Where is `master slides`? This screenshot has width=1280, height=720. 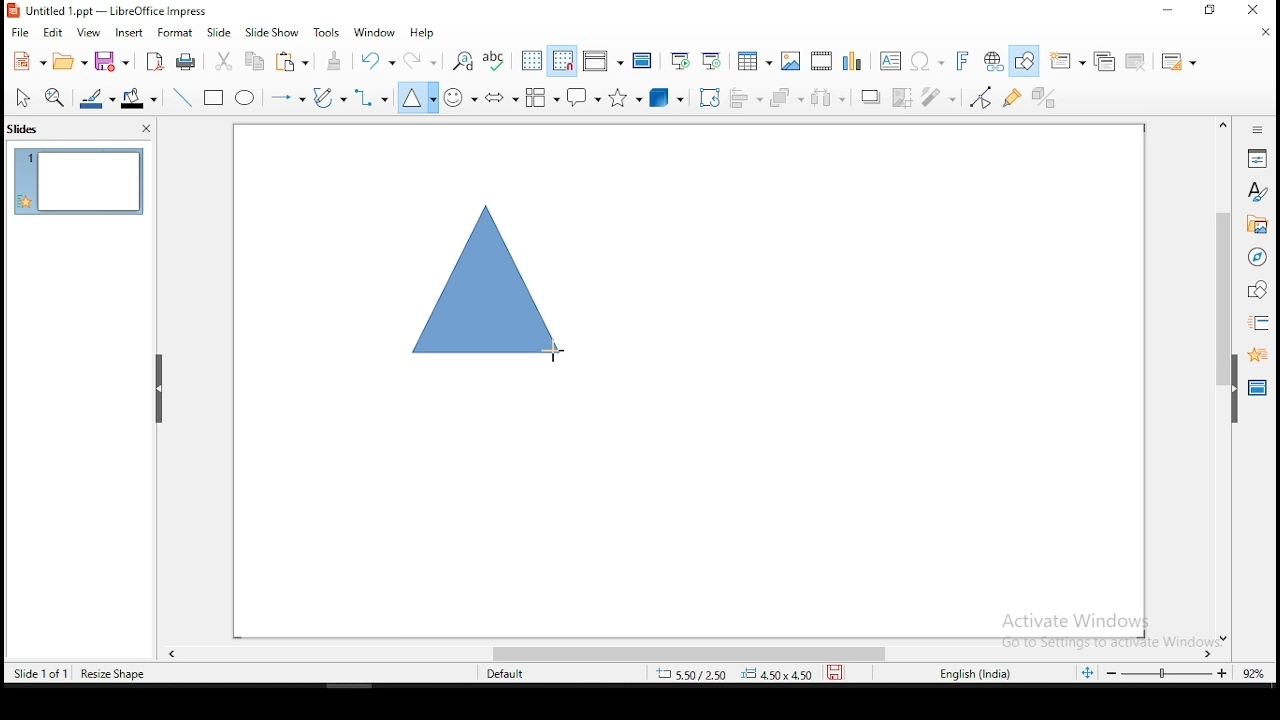
master slides is located at coordinates (1255, 391).